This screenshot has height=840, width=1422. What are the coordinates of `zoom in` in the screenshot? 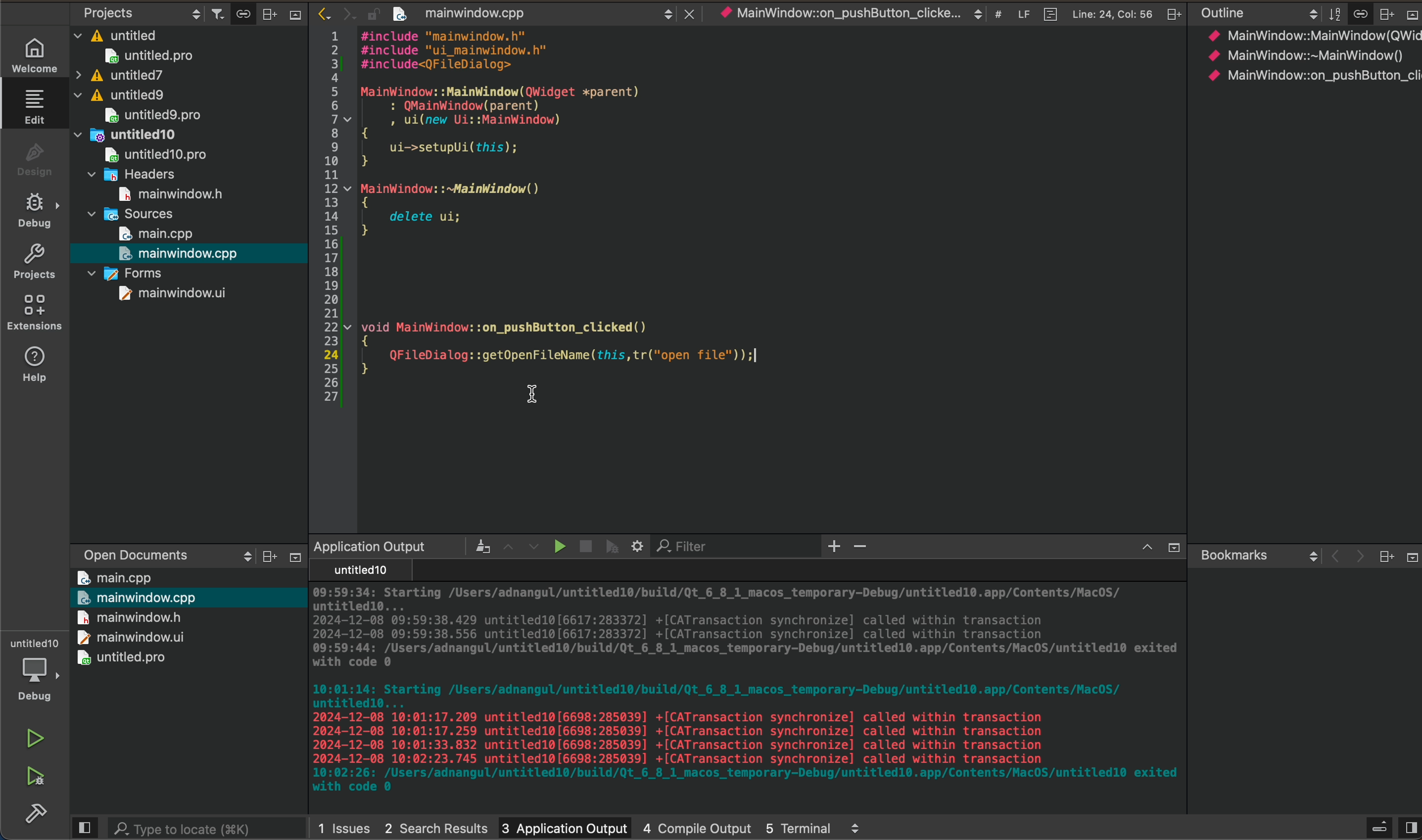 It's located at (835, 547).